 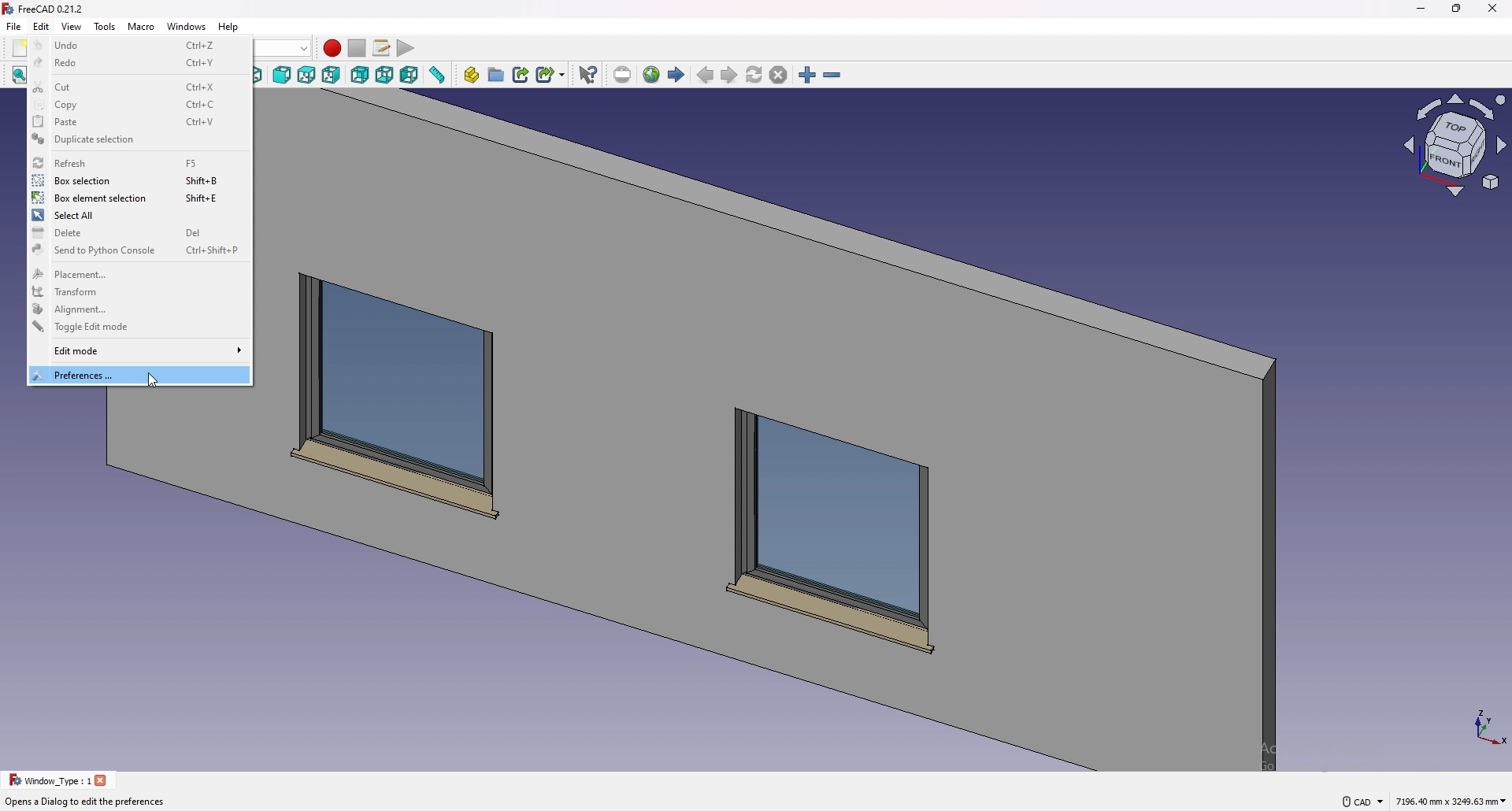 I want to click on record macros, so click(x=332, y=48).